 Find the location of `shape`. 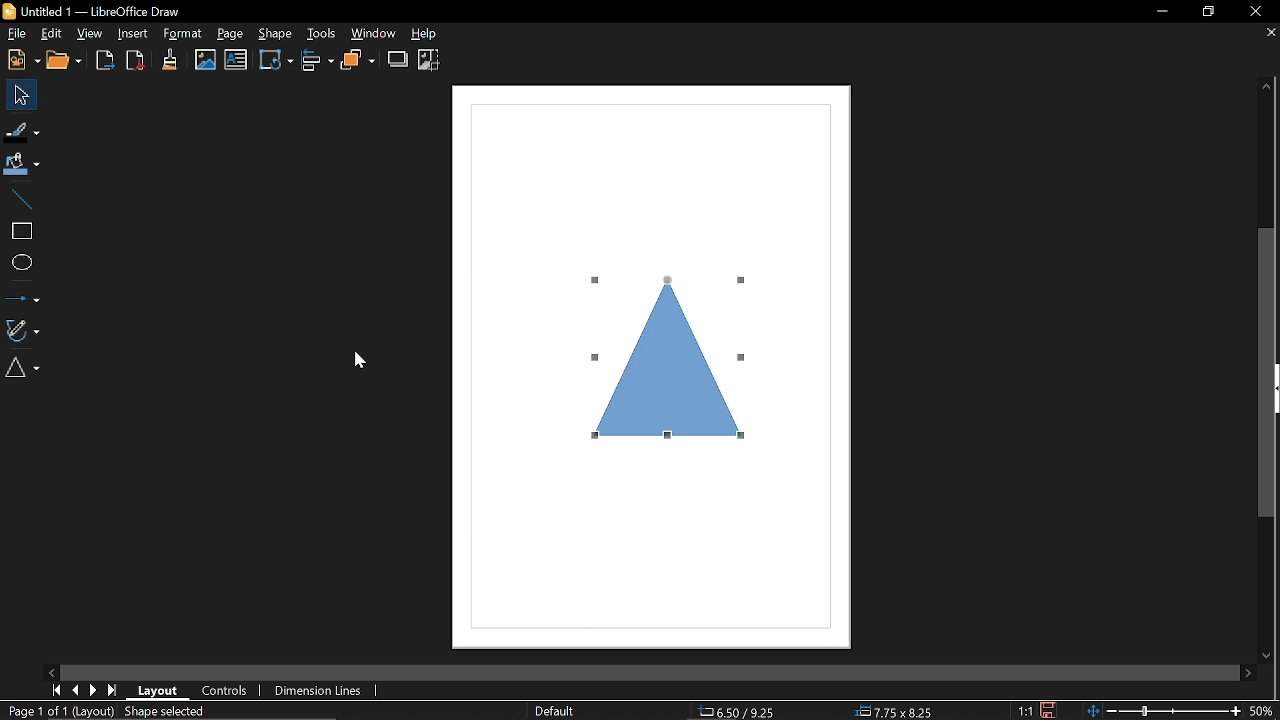

shape is located at coordinates (274, 33).